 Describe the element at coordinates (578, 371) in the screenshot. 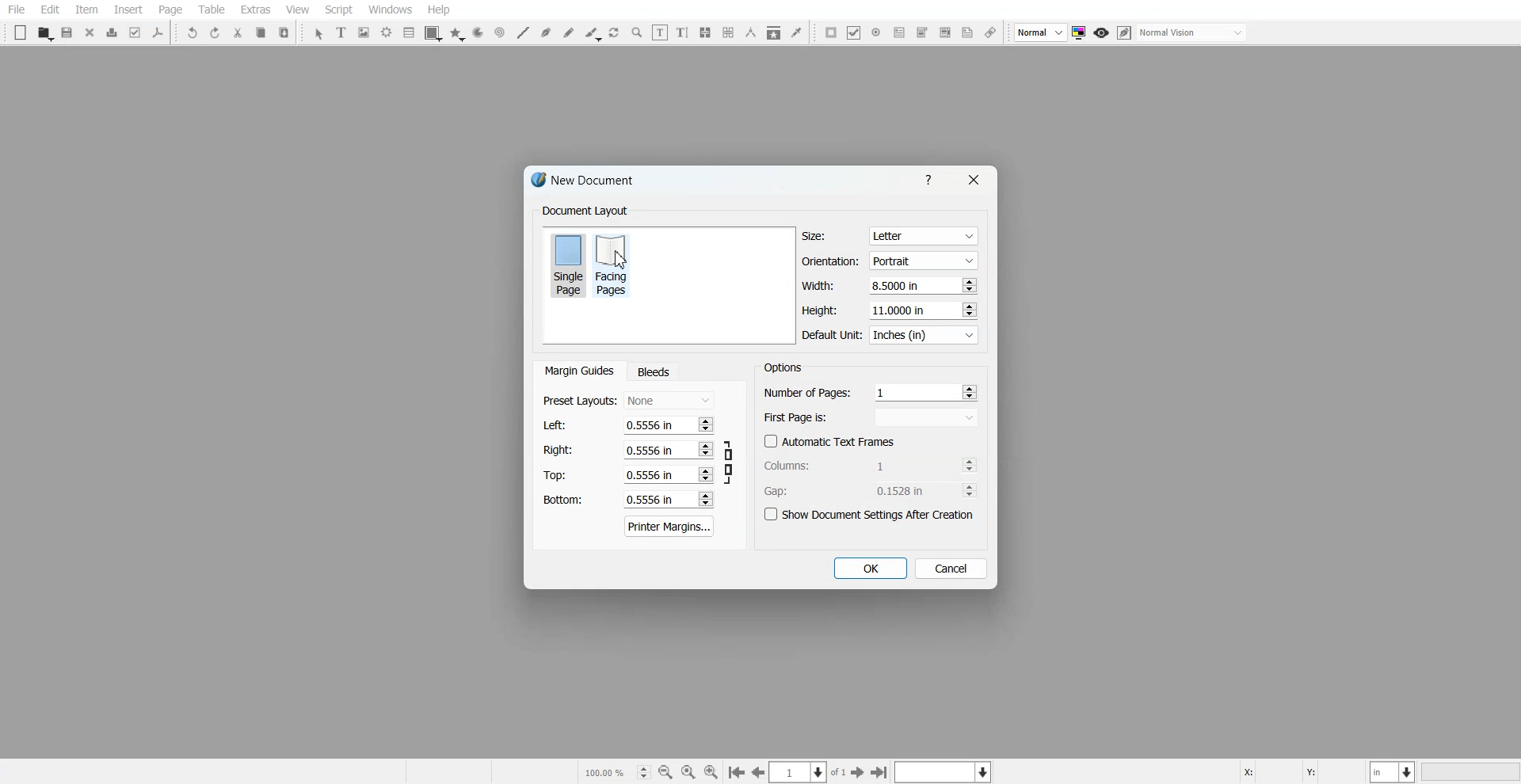

I see `Margin Guides` at that location.